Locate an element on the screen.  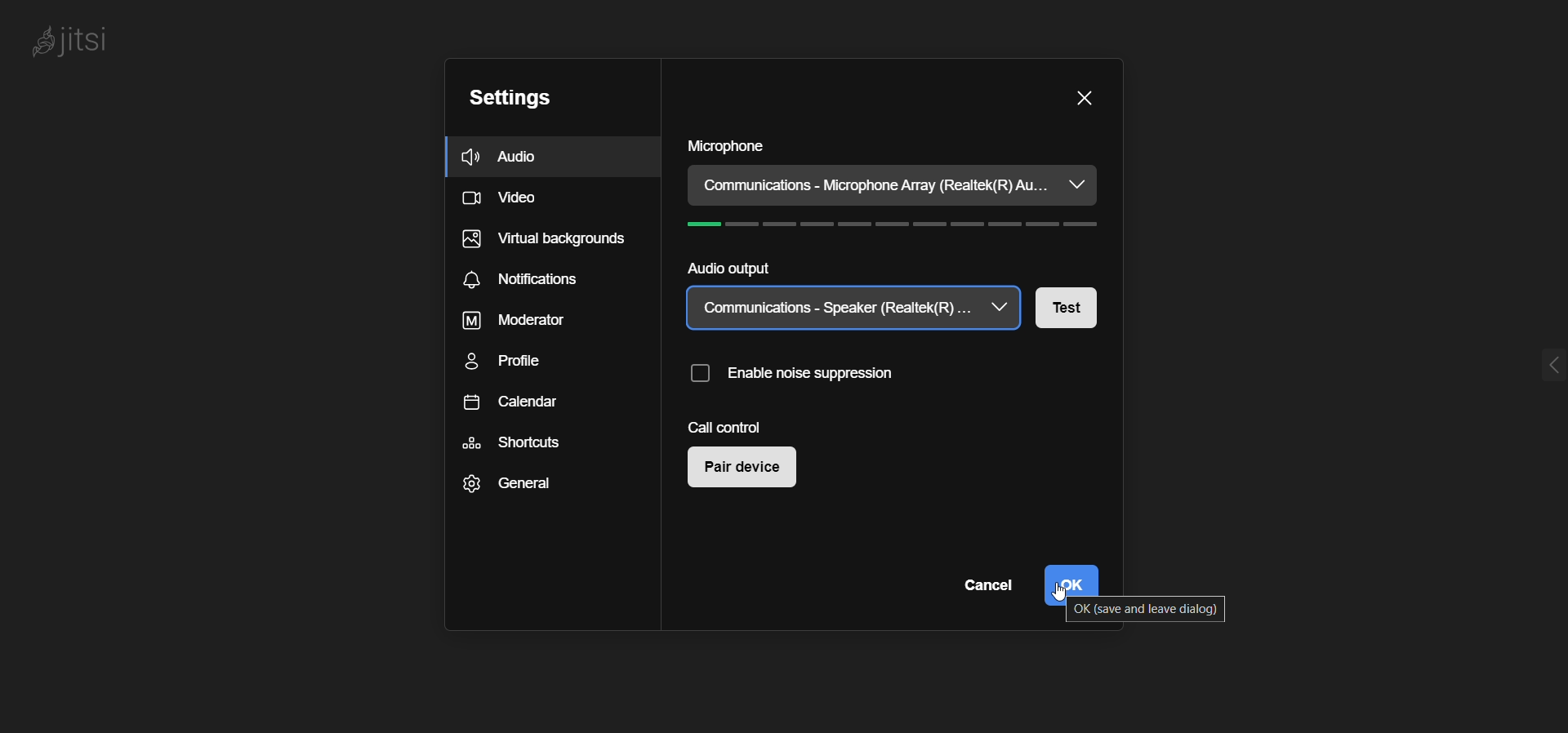
close dialog is located at coordinates (1083, 97).